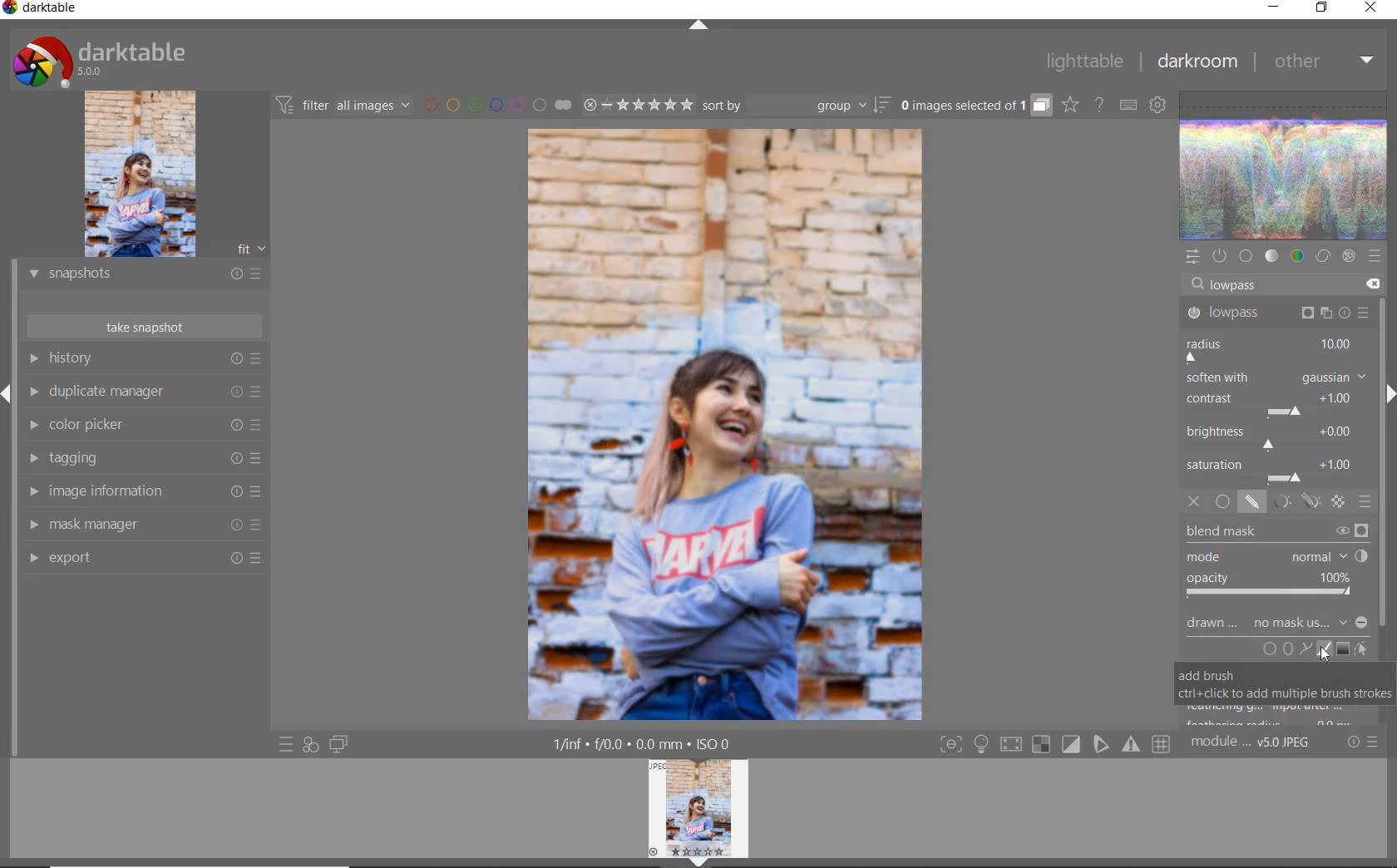 This screenshot has width=1397, height=868. What do you see at coordinates (1127, 104) in the screenshot?
I see `set keyboard shortcuts` at bounding box center [1127, 104].